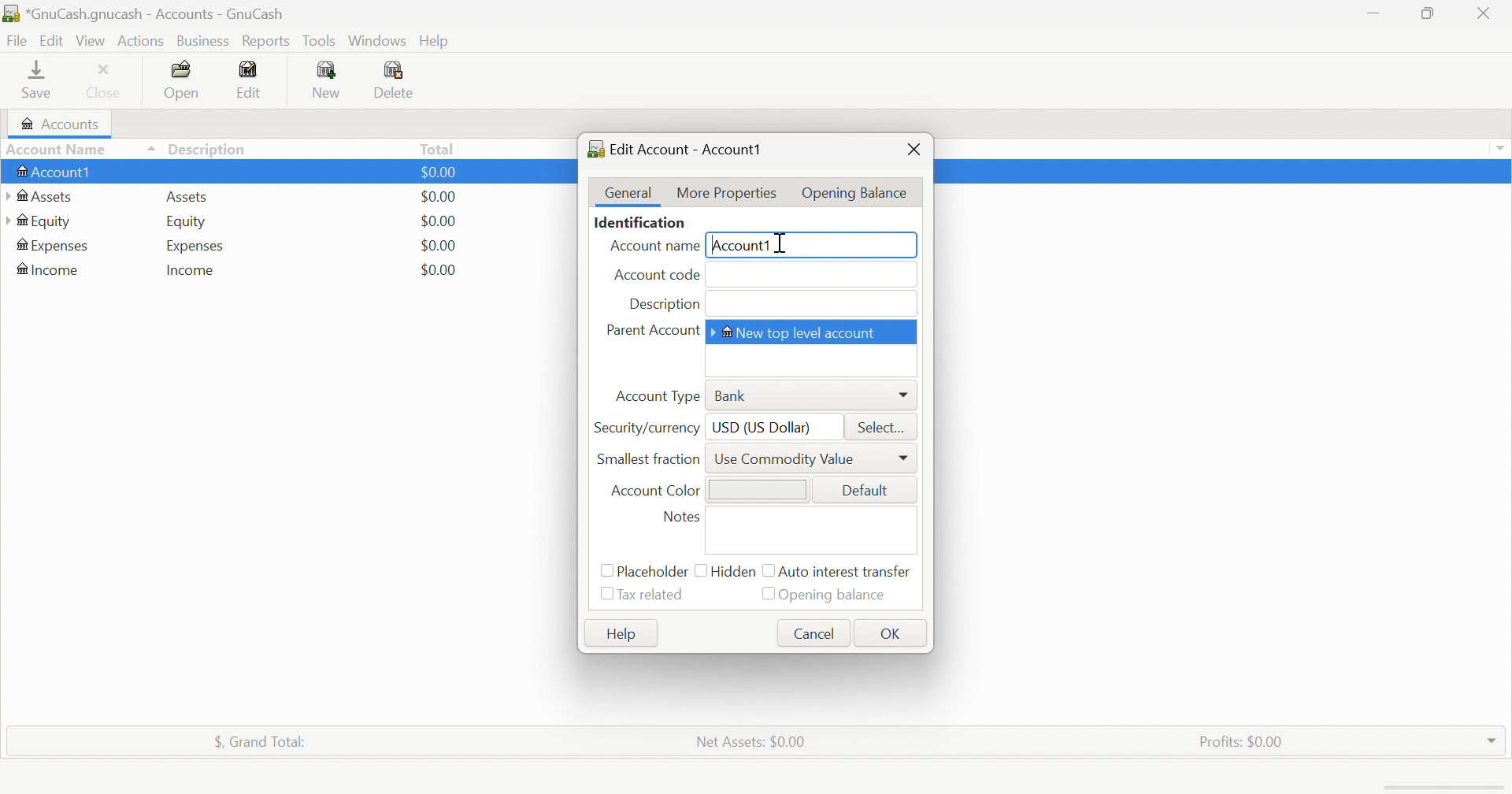  I want to click on Account Name, so click(82, 150).